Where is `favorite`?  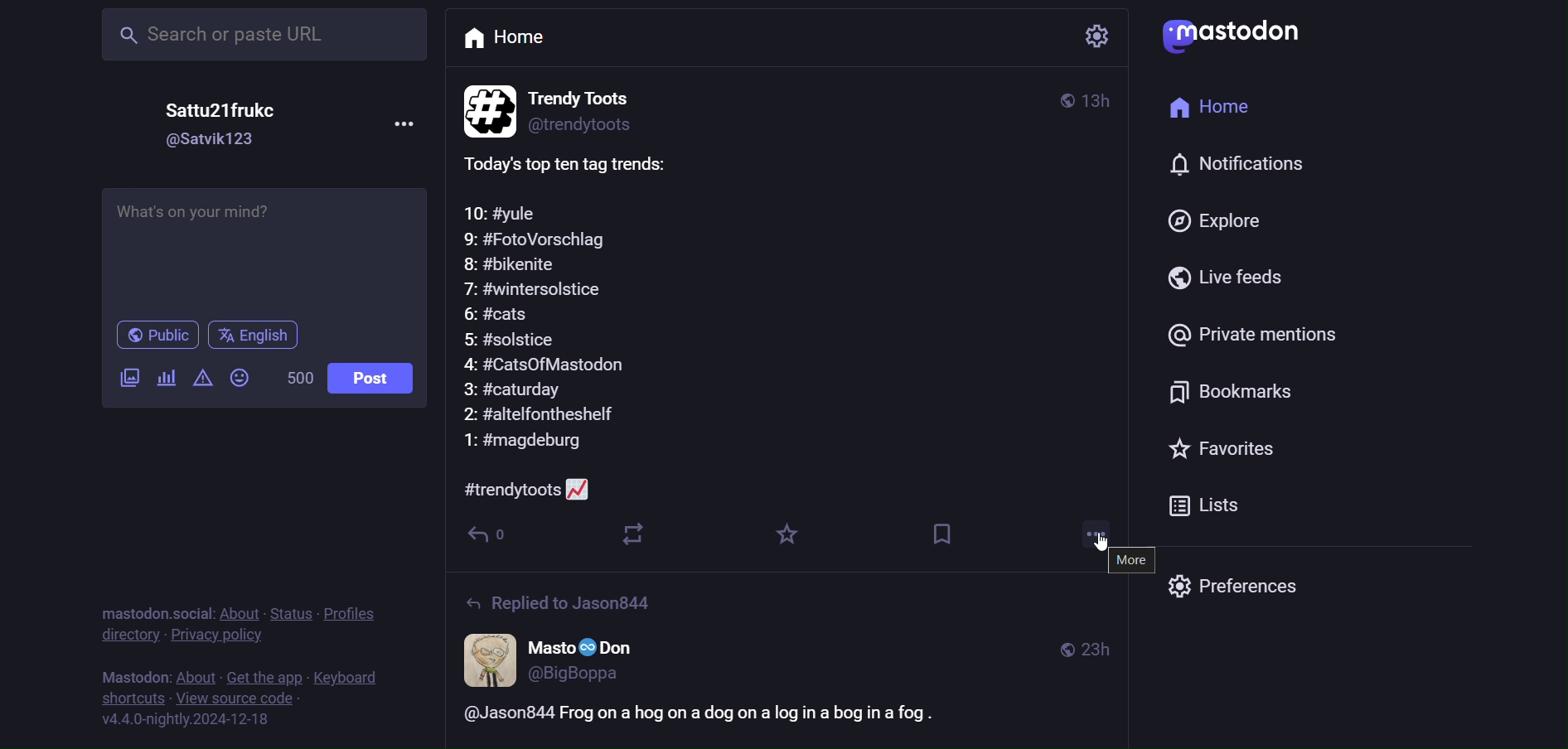 favorite is located at coordinates (789, 536).